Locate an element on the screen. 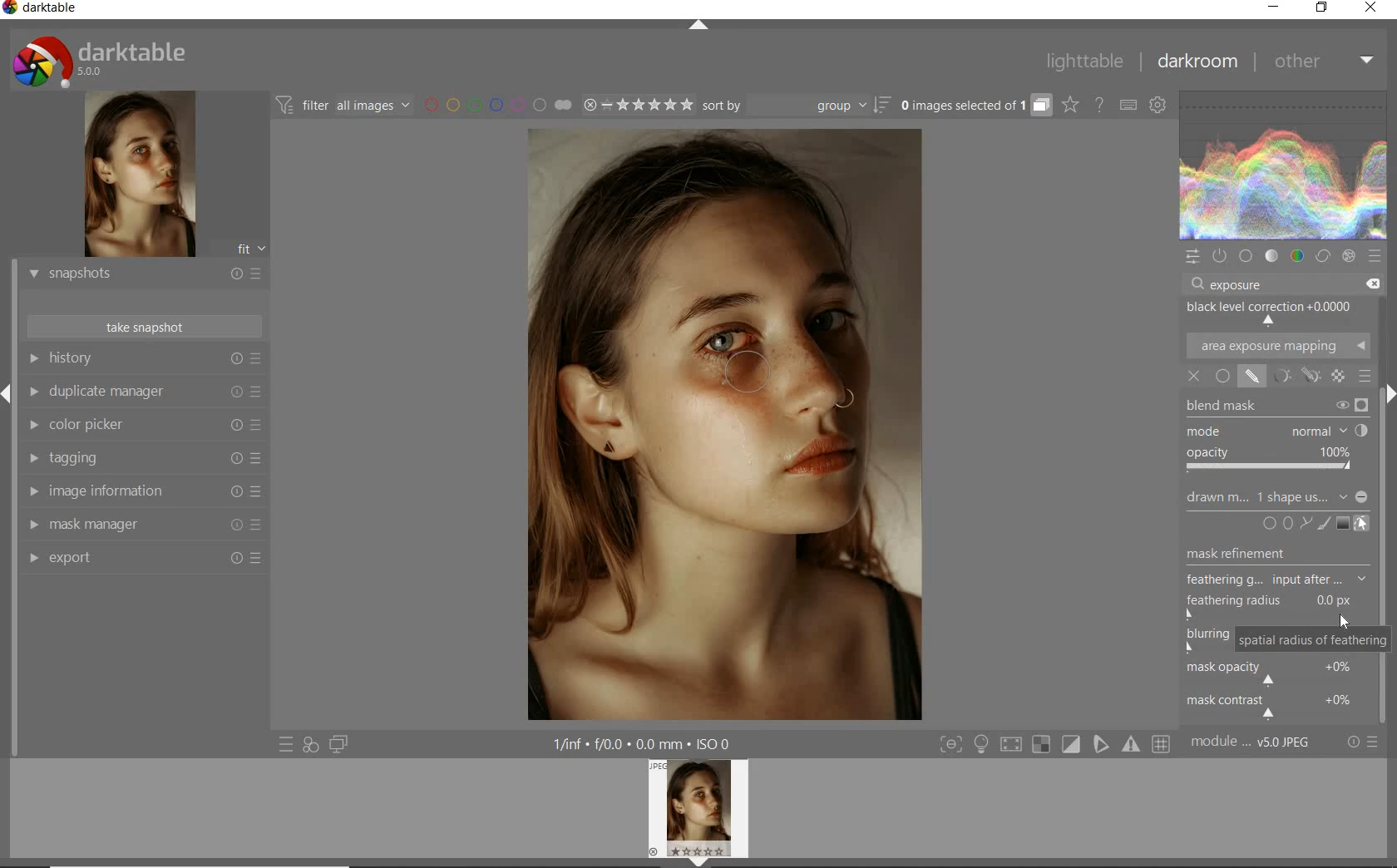 This screenshot has width=1397, height=868. expand/collapse is located at coordinates (698, 27).